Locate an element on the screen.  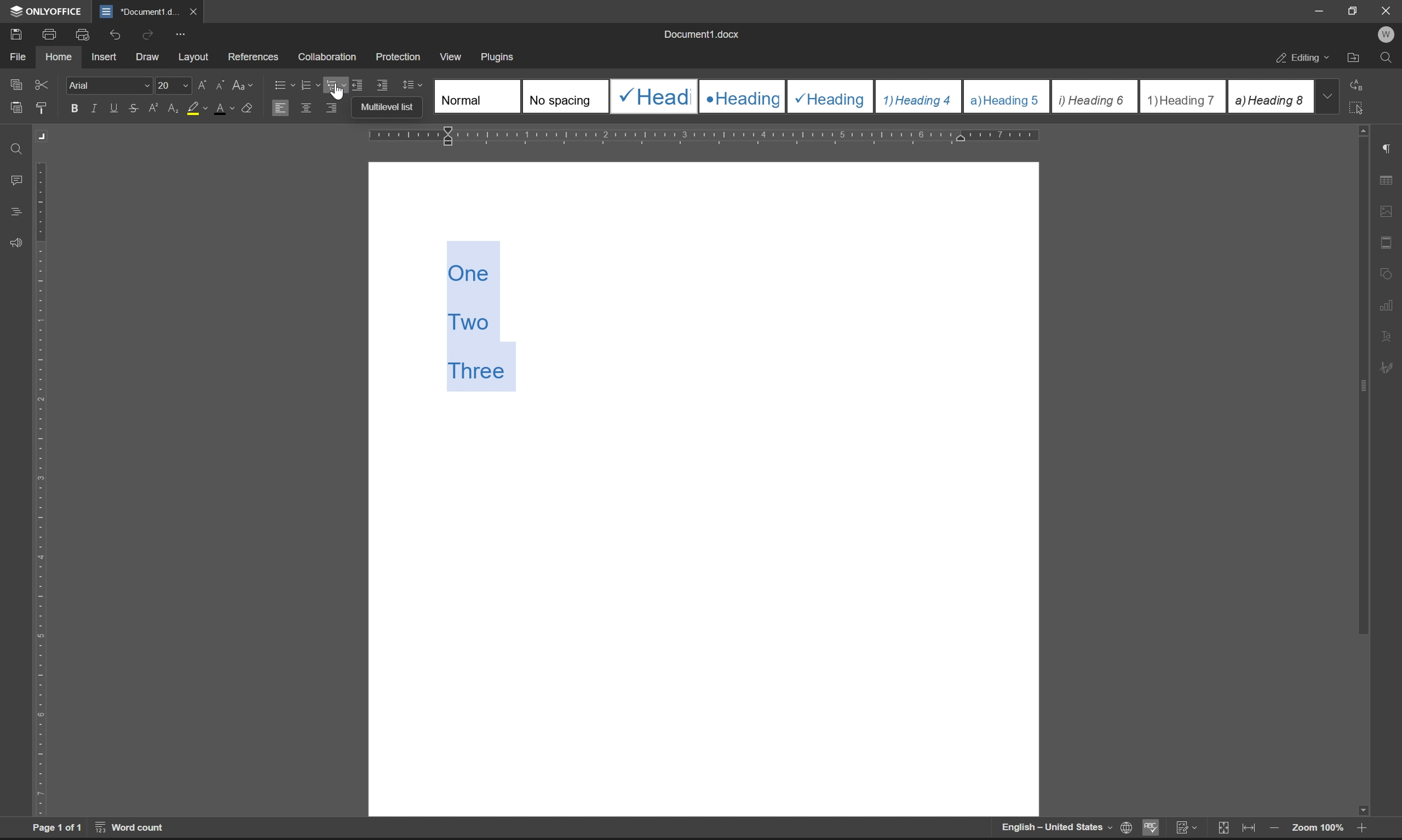
increment font case is located at coordinates (201, 83).